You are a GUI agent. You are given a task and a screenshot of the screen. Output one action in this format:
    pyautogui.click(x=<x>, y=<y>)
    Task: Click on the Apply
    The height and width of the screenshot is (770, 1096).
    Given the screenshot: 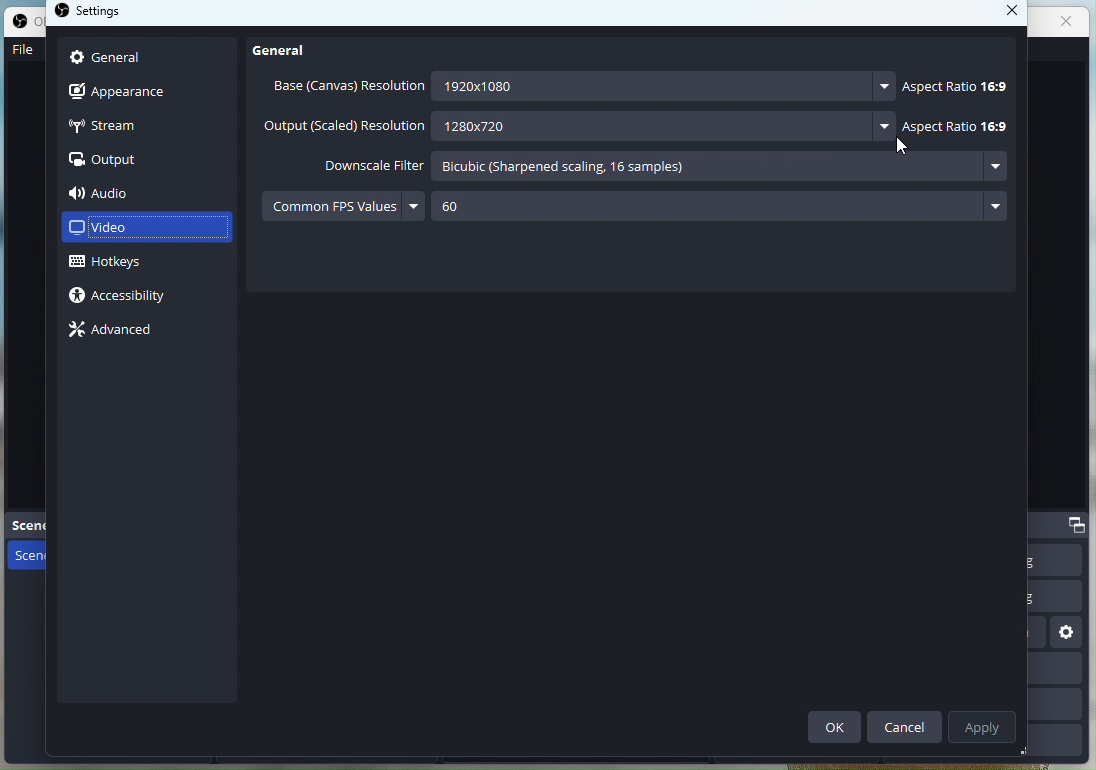 What is the action you would take?
    pyautogui.click(x=985, y=725)
    